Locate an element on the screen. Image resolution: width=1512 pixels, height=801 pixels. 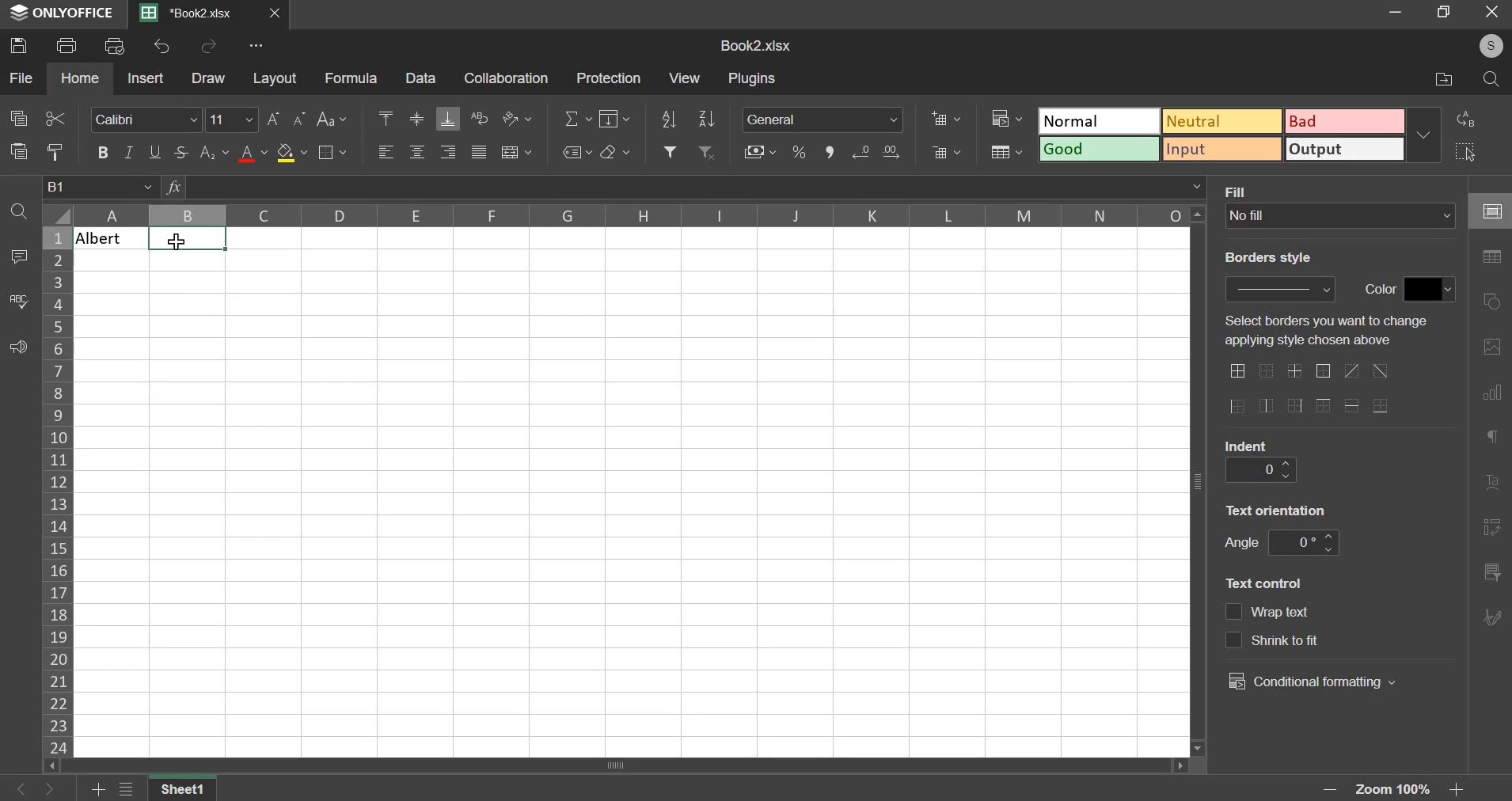
file is located at coordinates (21, 77).